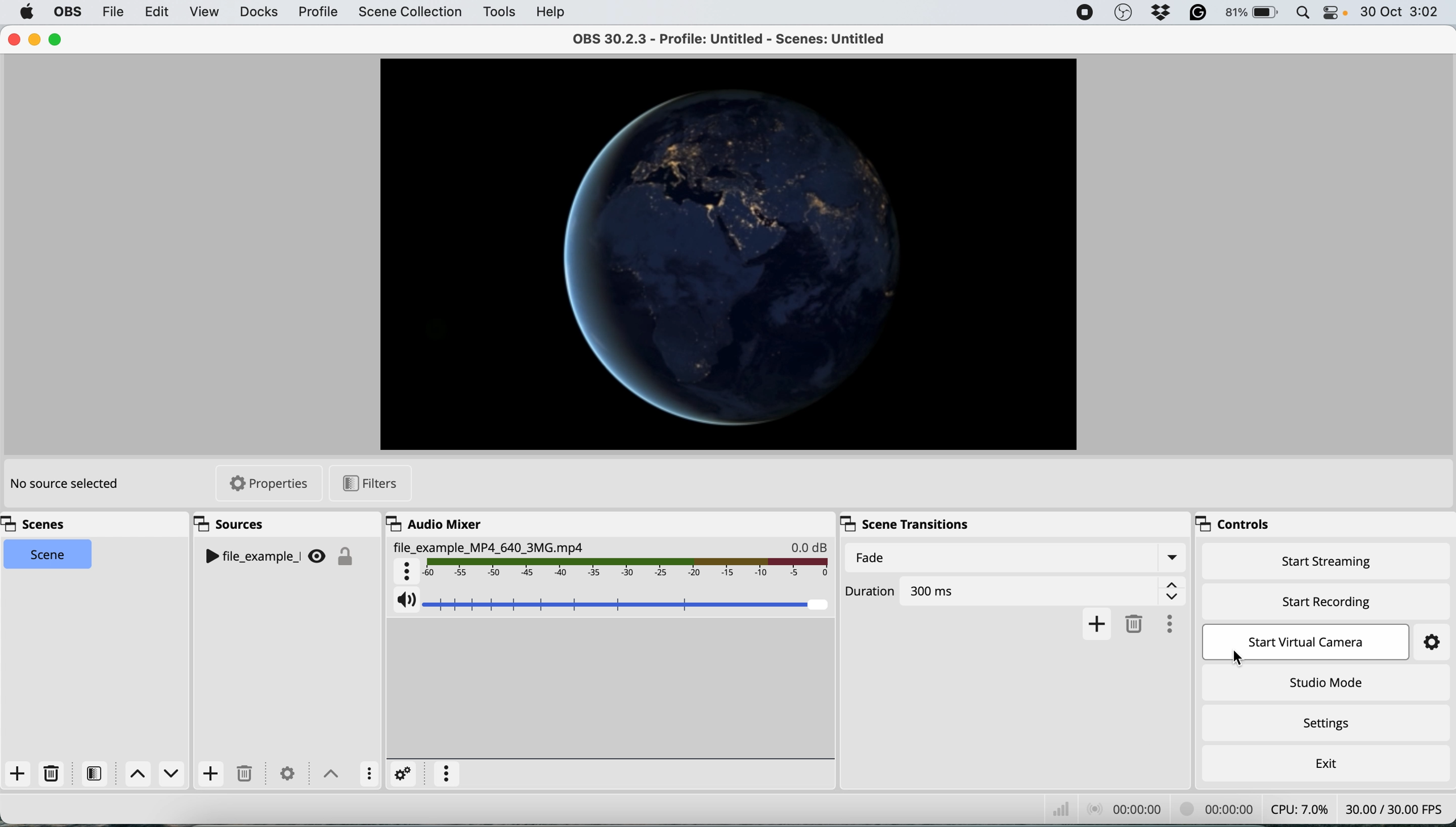 Image resolution: width=1456 pixels, height=827 pixels. I want to click on docks, so click(257, 14).